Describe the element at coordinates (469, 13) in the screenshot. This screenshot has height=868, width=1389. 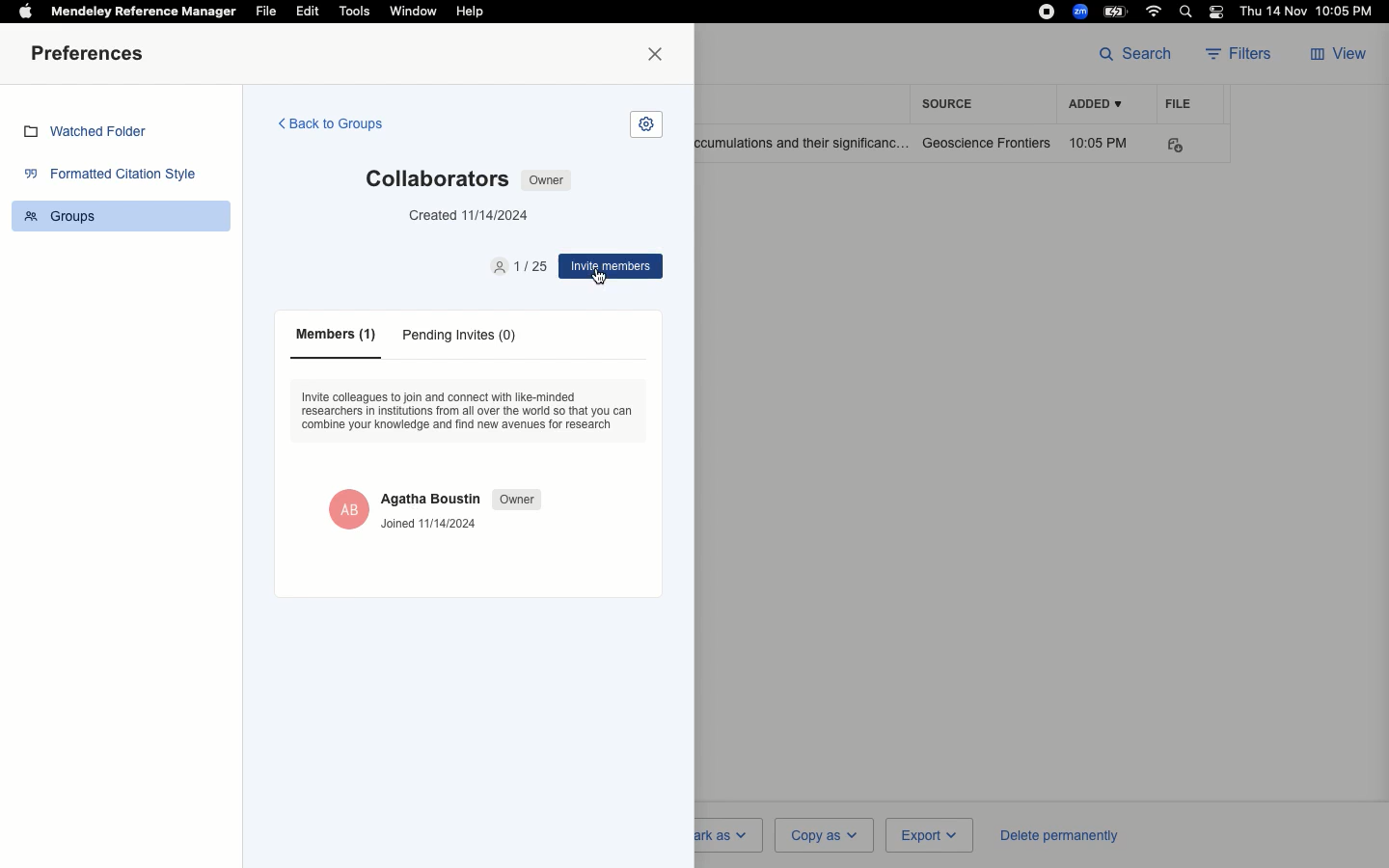
I see `Help` at that location.